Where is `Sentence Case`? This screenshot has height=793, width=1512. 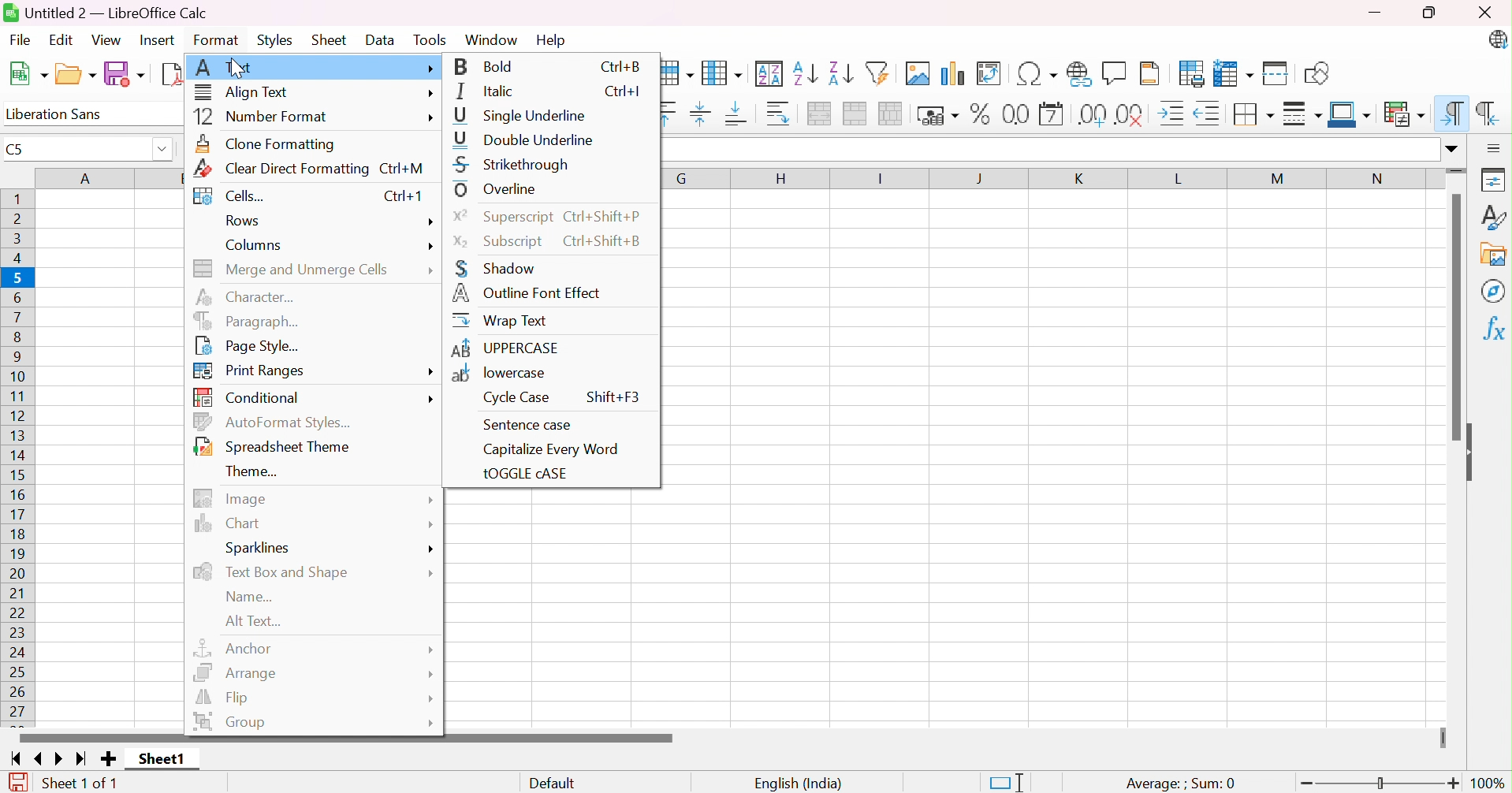 Sentence Case is located at coordinates (526, 425).